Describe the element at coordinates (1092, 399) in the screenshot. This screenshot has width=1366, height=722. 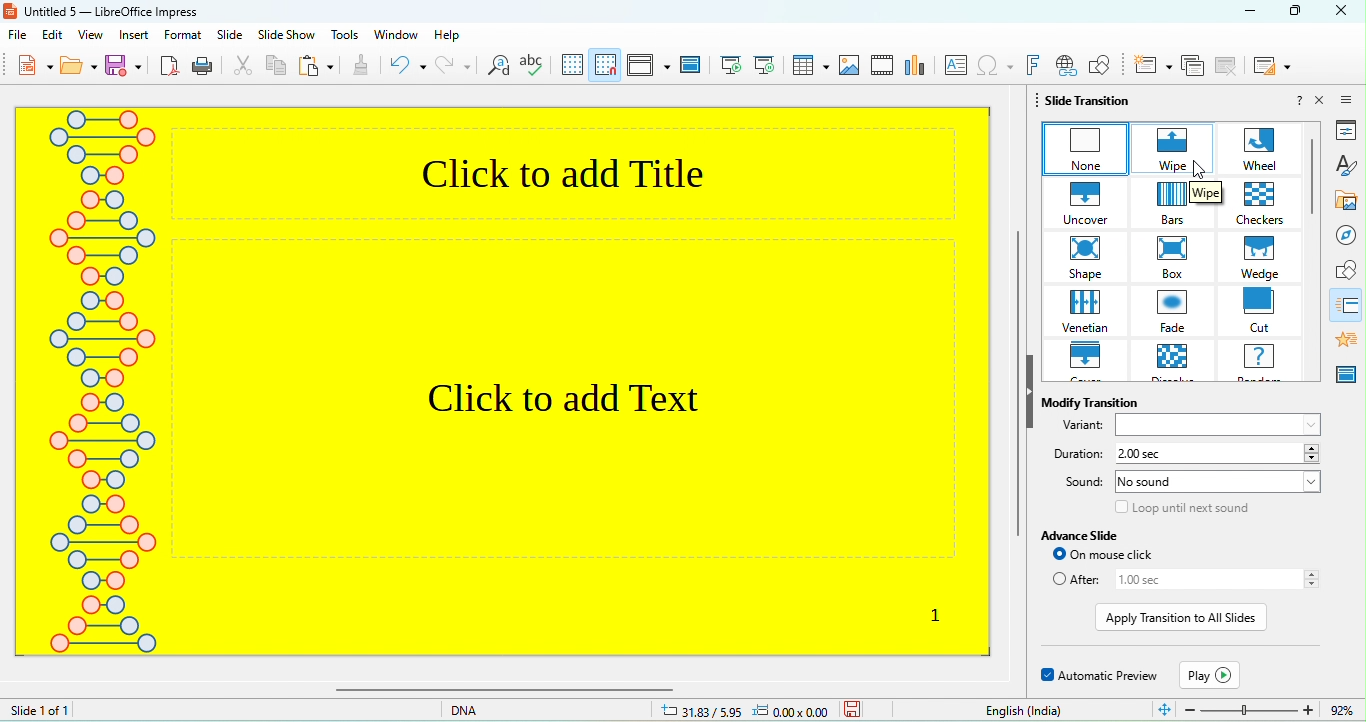
I see `modify transition` at that location.